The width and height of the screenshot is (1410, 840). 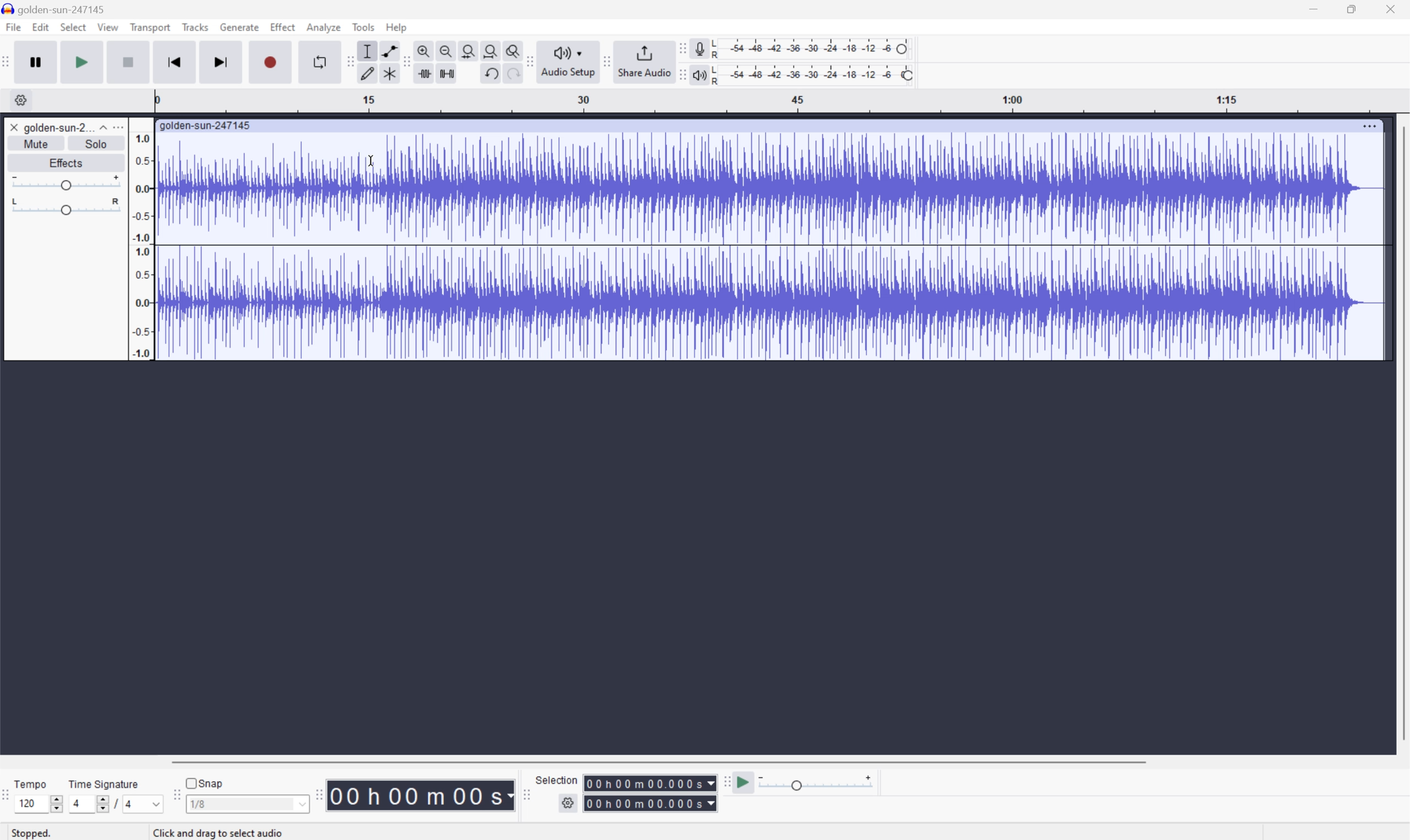 I want to click on Zoom toggle, so click(x=514, y=49).